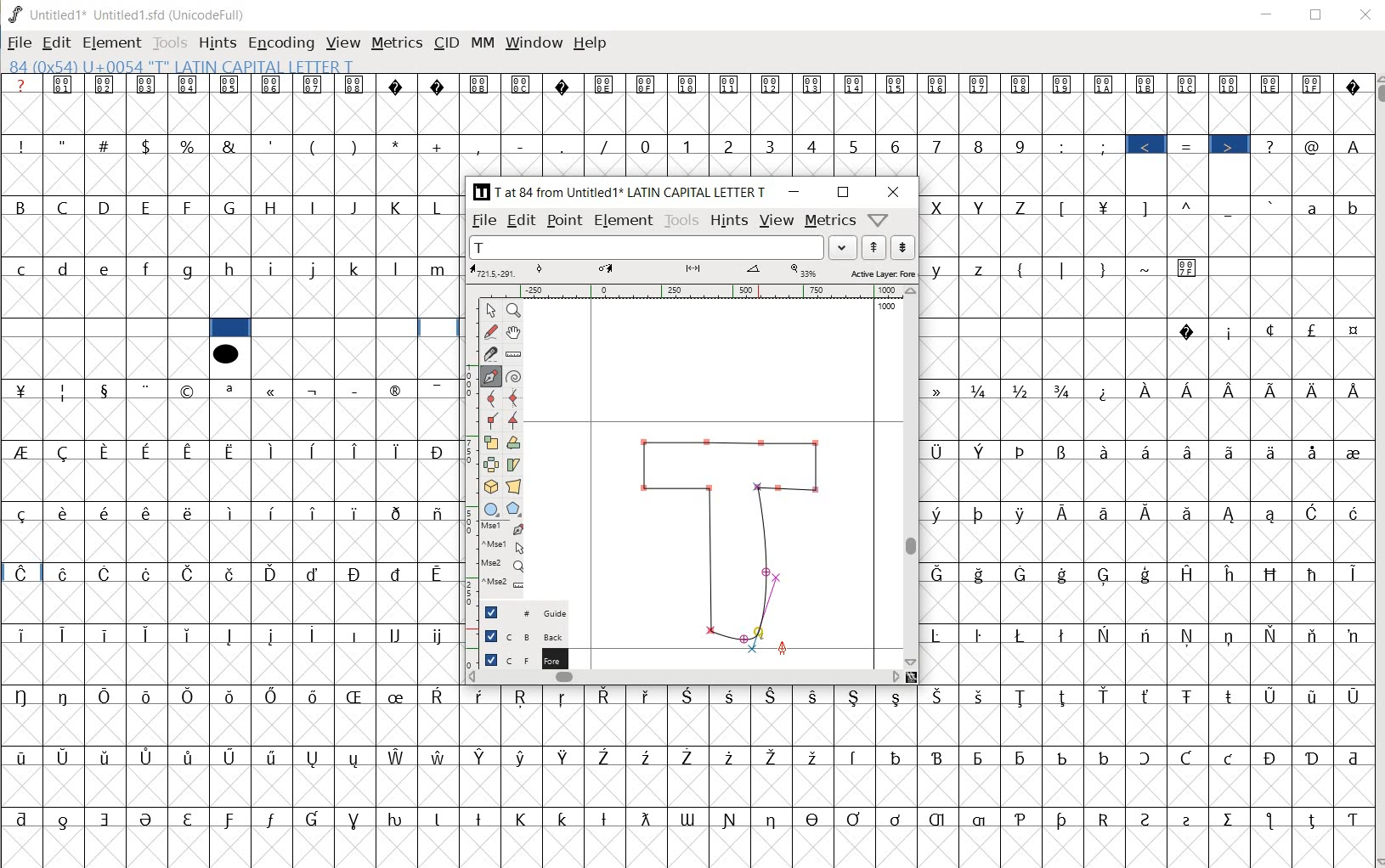 This screenshot has width=1385, height=868. What do you see at coordinates (21, 451) in the screenshot?
I see `Symbol` at bounding box center [21, 451].